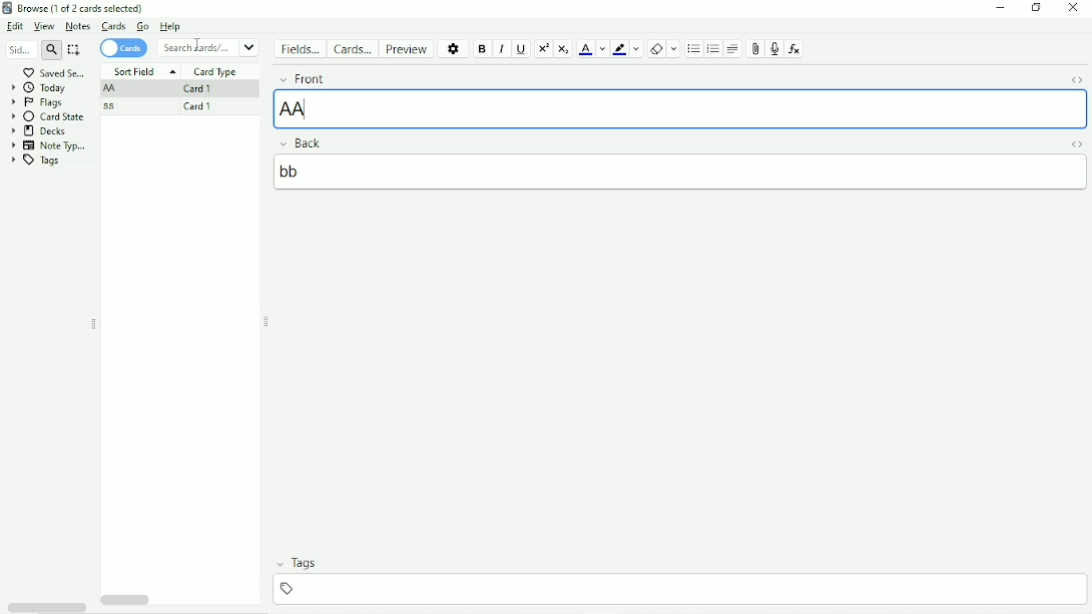  What do you see at coordinates (661, 77) in the screenshot?
I see `Front` at bounding box center [661, 77].